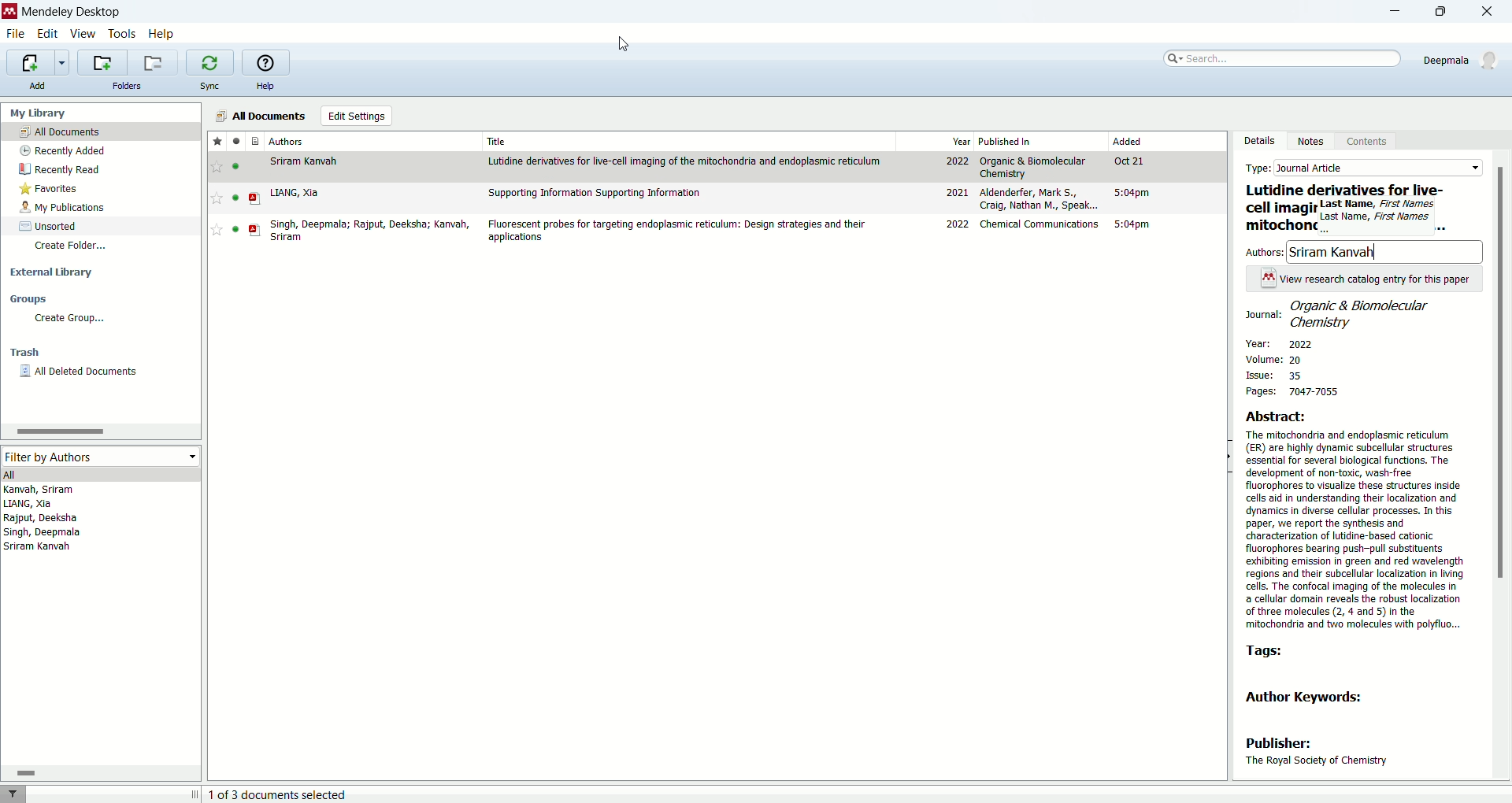 Image resolution: width=1512 pixels, height=803 pixels. Describe the element at coordinates (239, 166) in the screenshot. I see `read/unread` at that location.